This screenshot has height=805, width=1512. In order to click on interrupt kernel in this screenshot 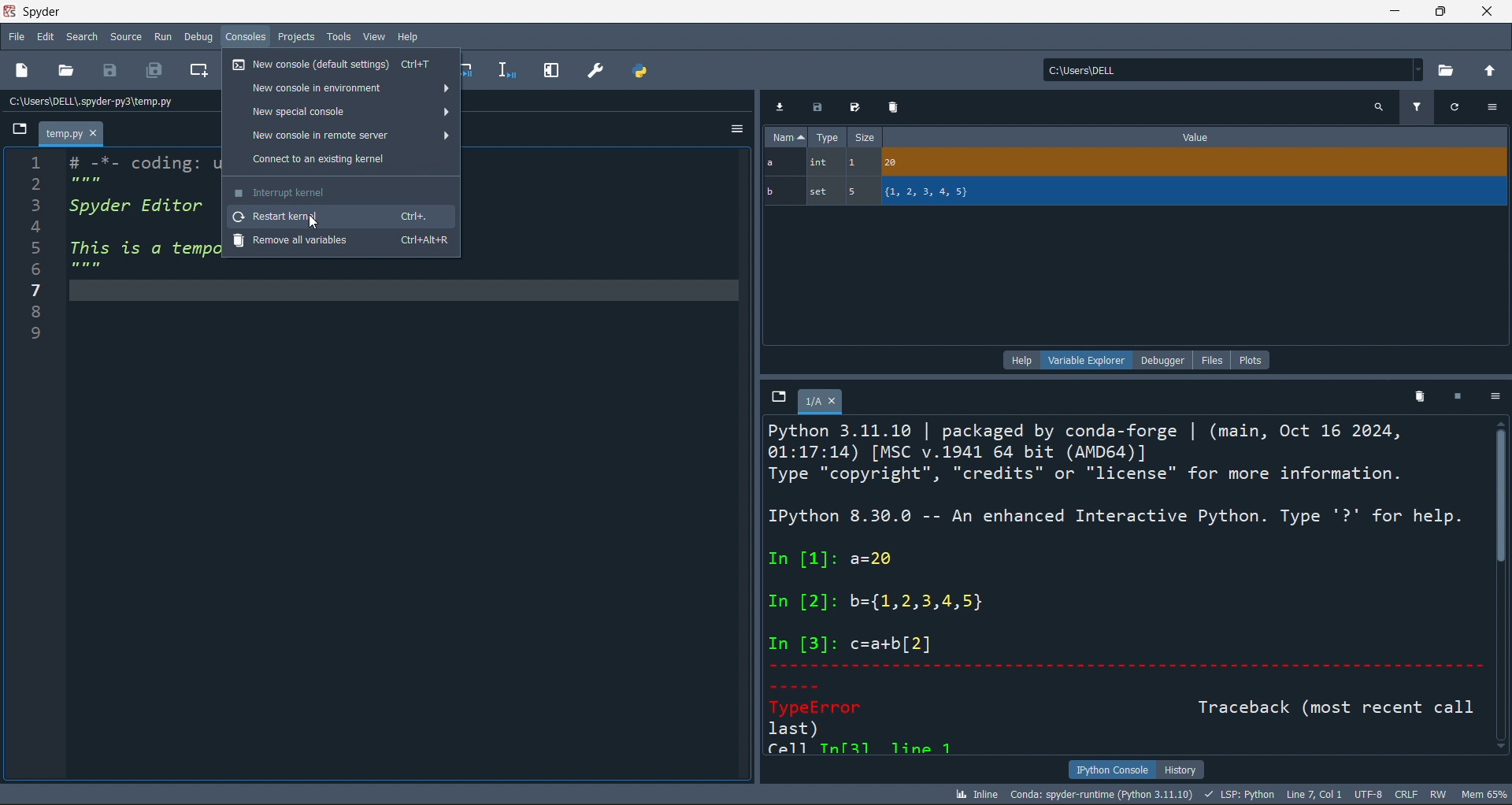, I will do `click(340, 190)`.